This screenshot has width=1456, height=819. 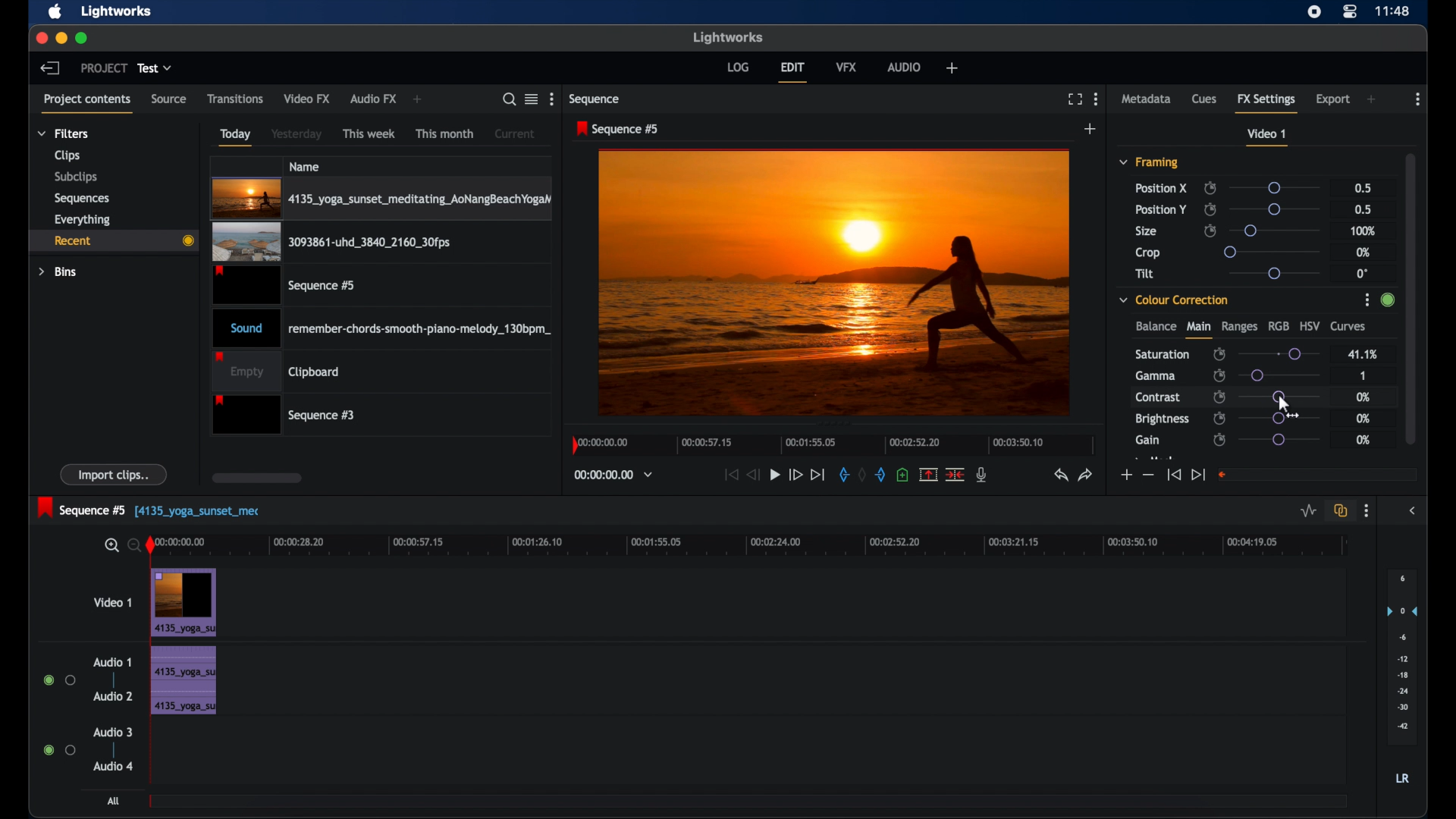 I want to click on position x, so click(x=1161, y=187).